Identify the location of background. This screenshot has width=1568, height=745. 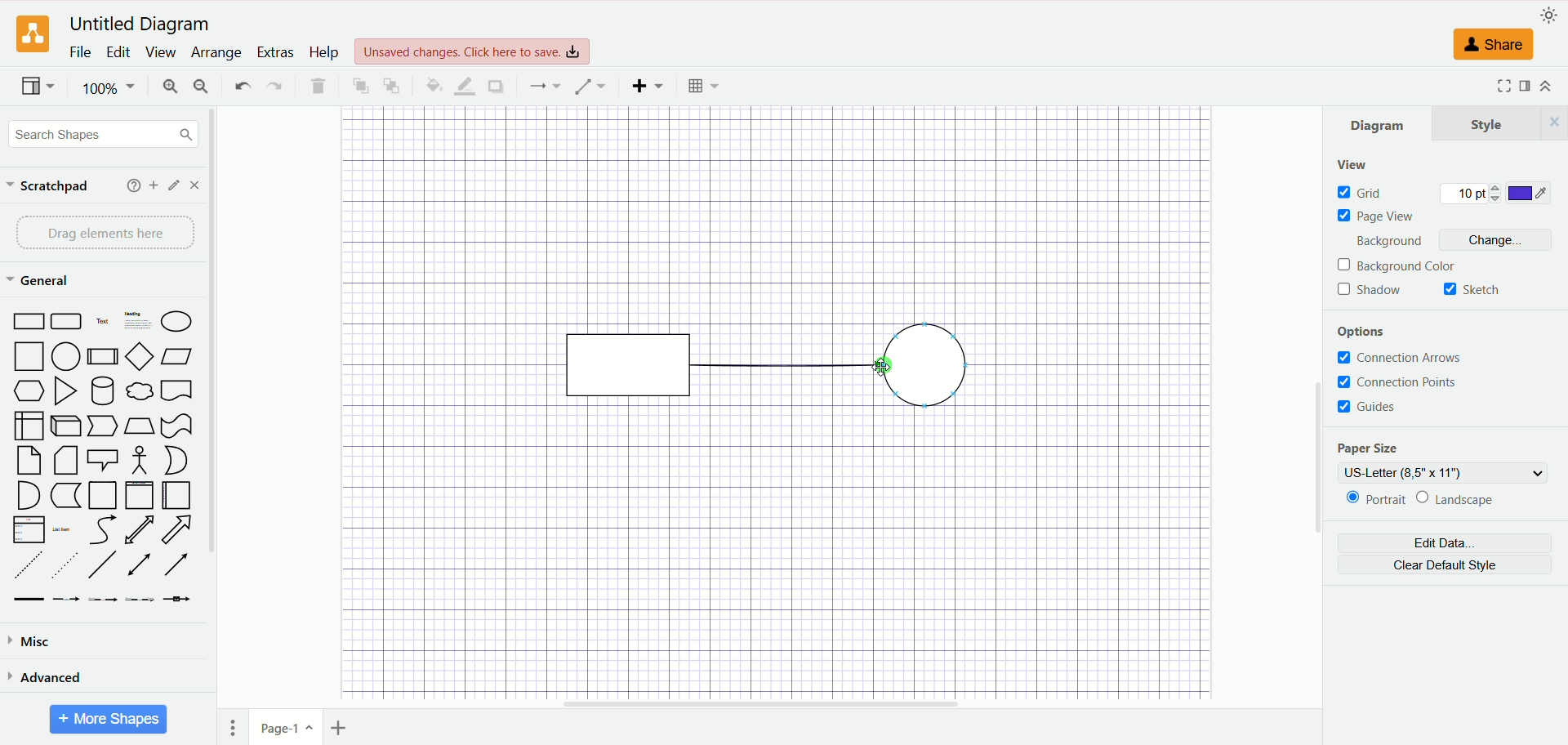
(1383, 243).